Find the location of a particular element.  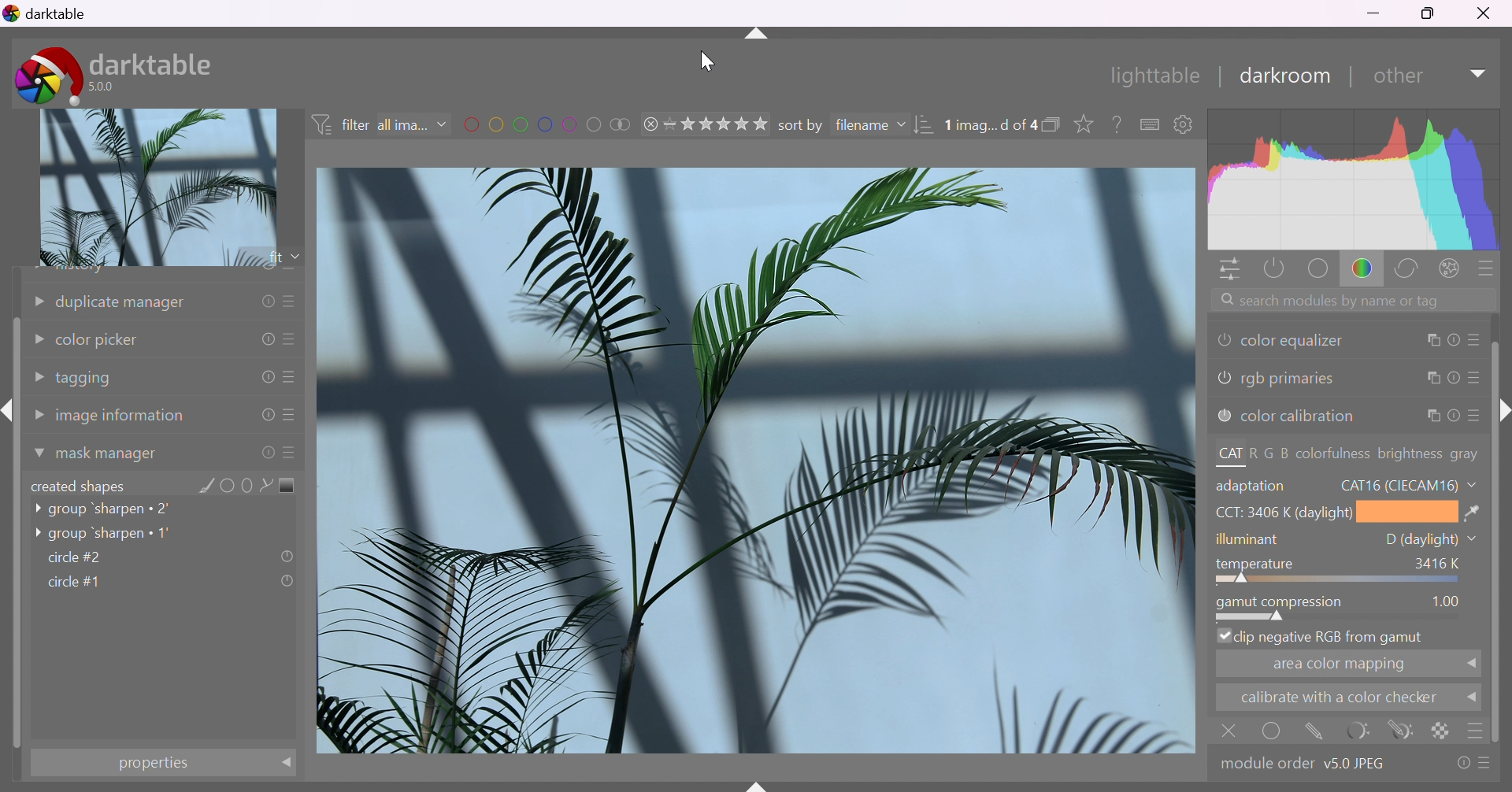

lighttable is located at coordinates (1158, 76).